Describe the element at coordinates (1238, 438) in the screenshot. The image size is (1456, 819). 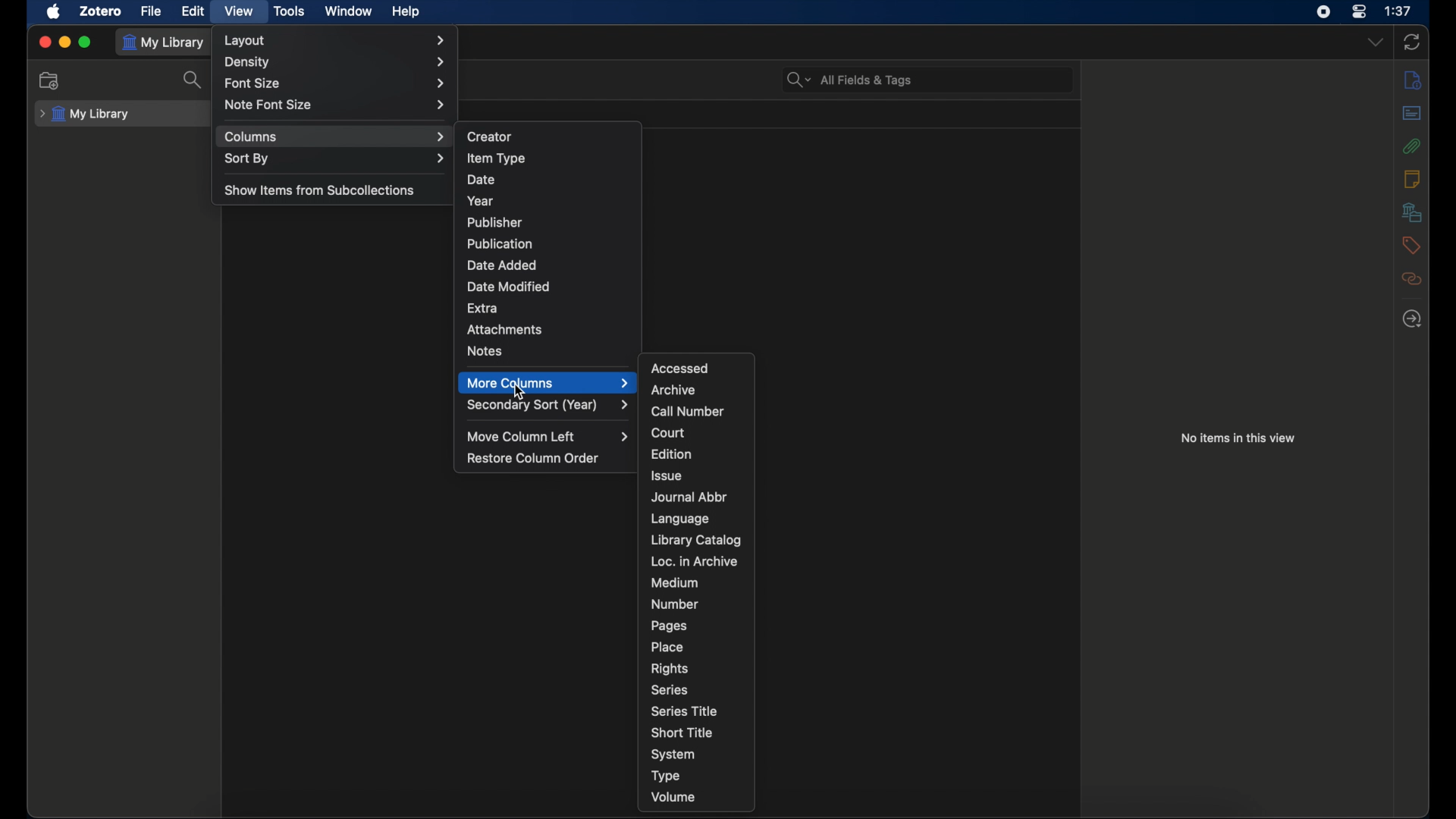
I see `no items in this view` at that location.